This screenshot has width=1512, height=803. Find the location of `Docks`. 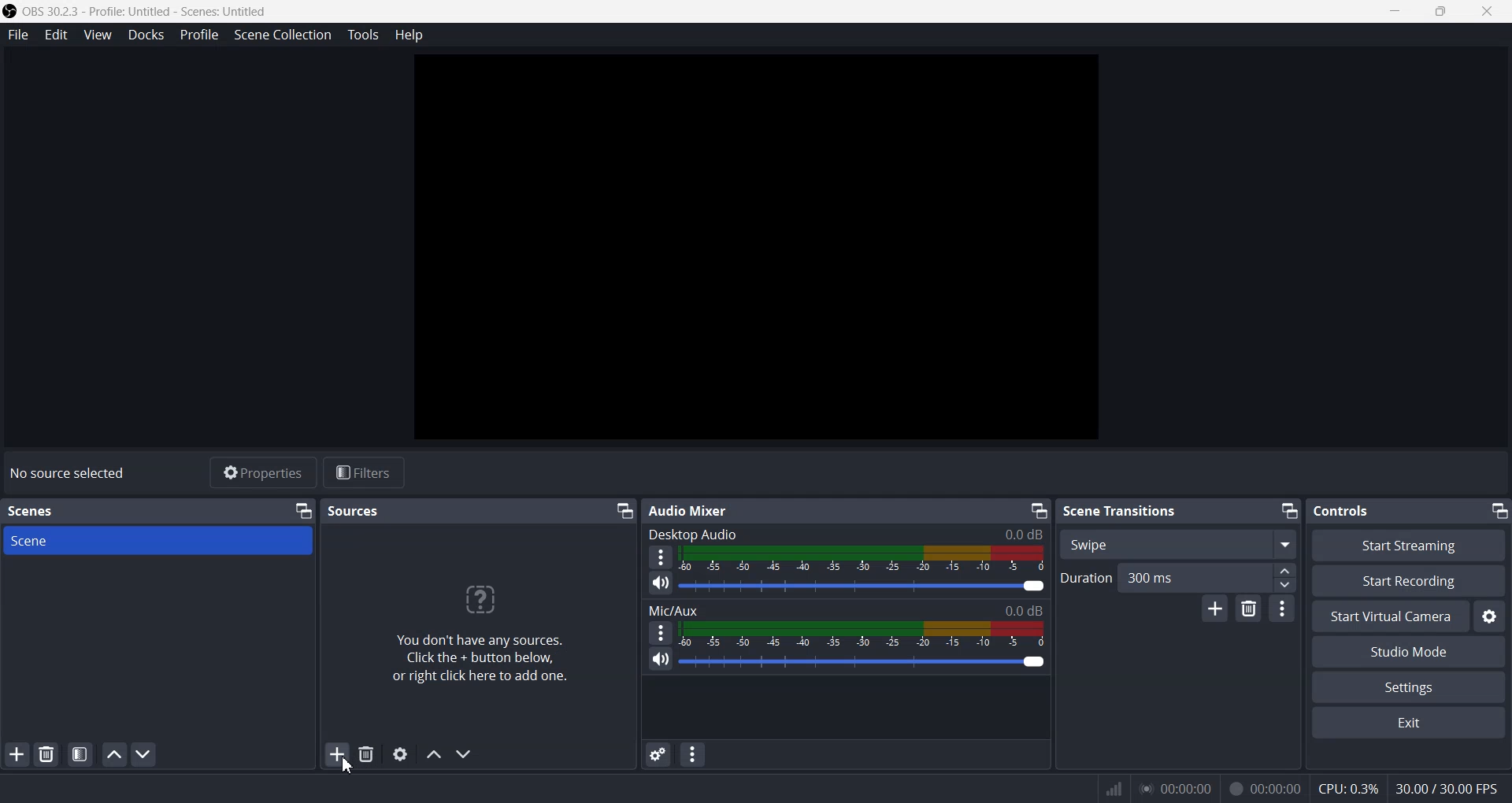

Docks is located at coordinates (146, 35).